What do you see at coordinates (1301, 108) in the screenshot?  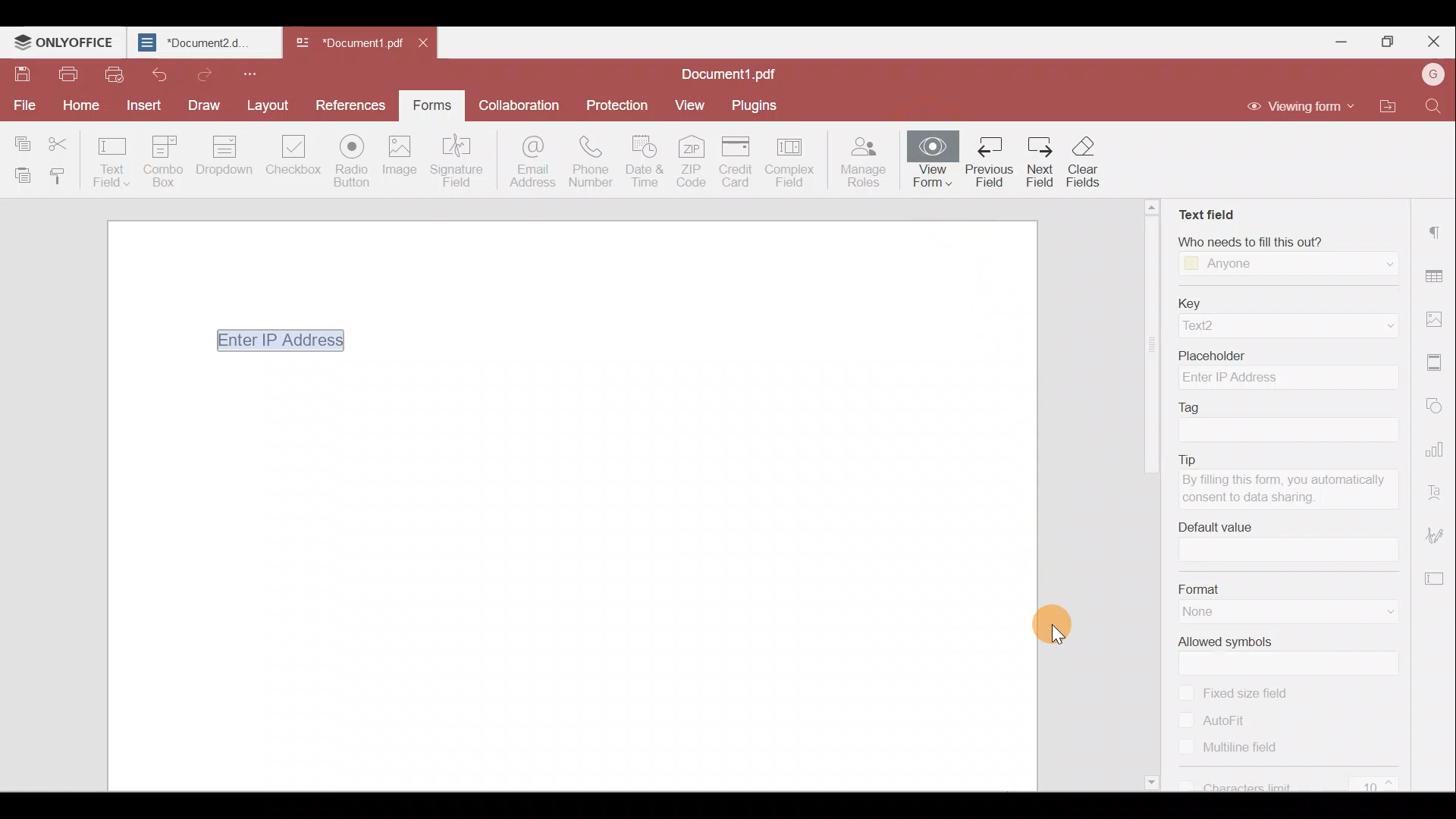 I see `Editing mode` at bounding box center [1301, 108].